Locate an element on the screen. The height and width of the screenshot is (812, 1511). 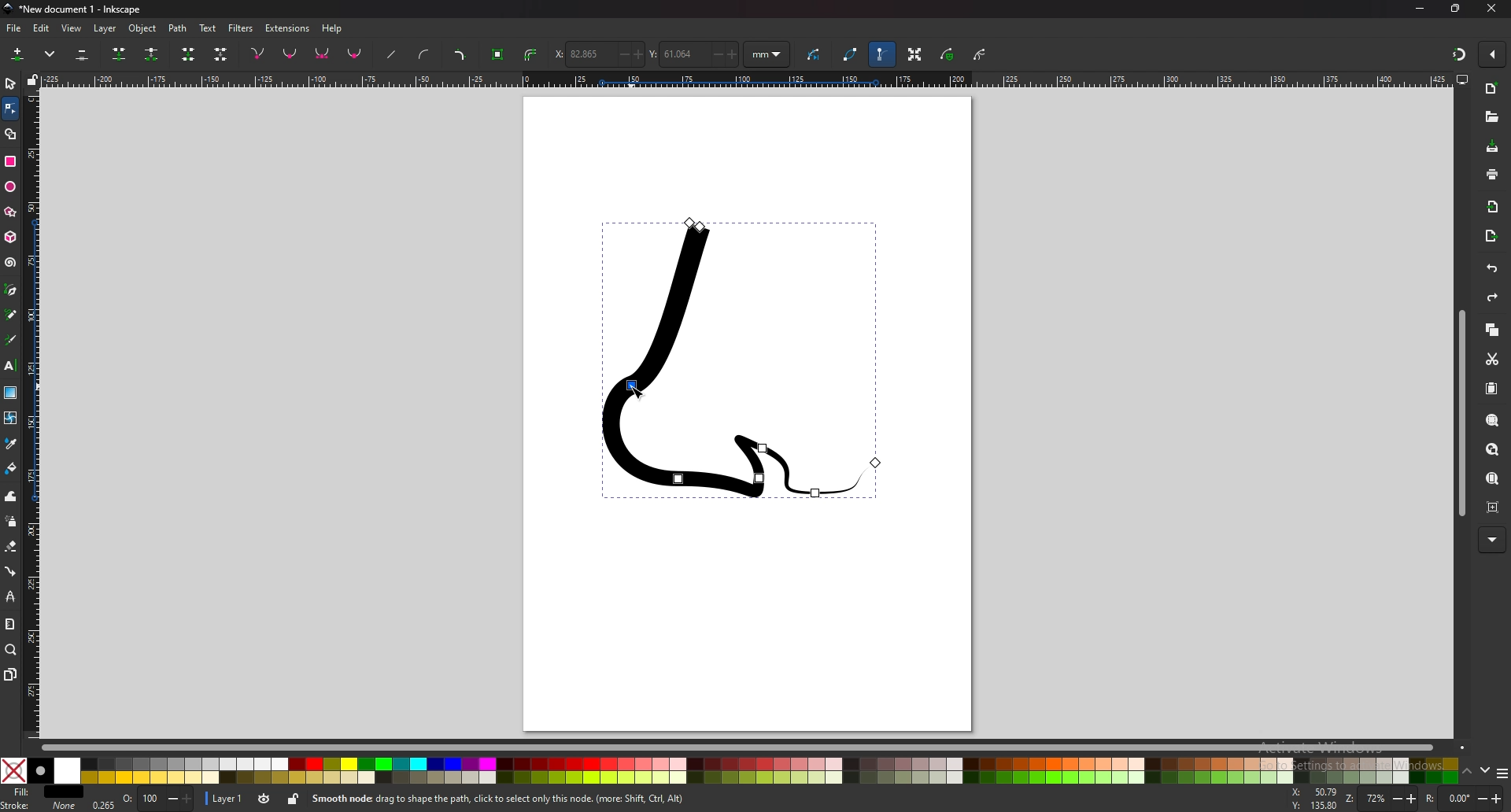
corner is located at coordinates (259, 53).